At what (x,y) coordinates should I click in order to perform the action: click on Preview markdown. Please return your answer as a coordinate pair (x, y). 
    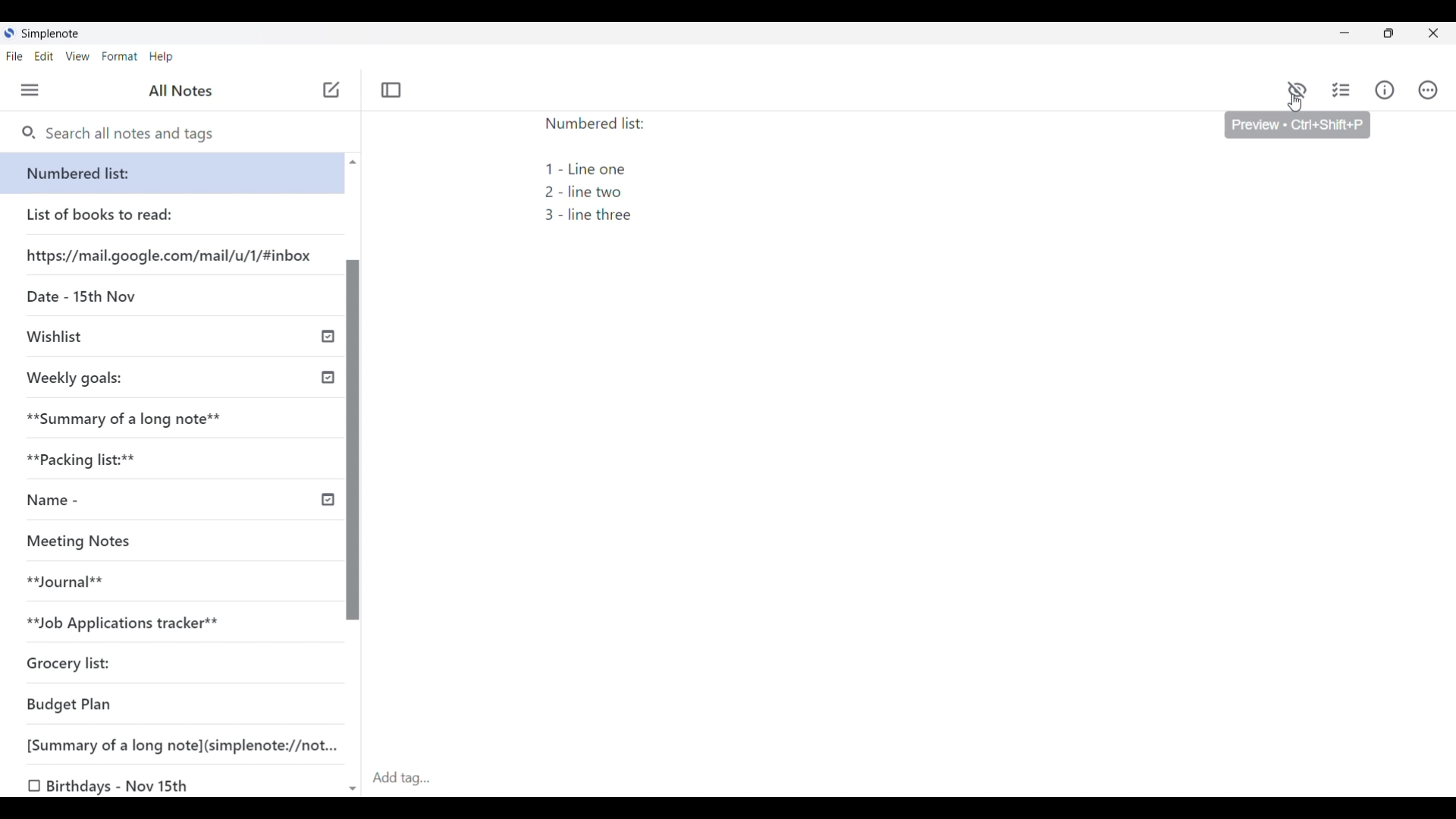
    Looking at the image, I should click on (1298, 86).